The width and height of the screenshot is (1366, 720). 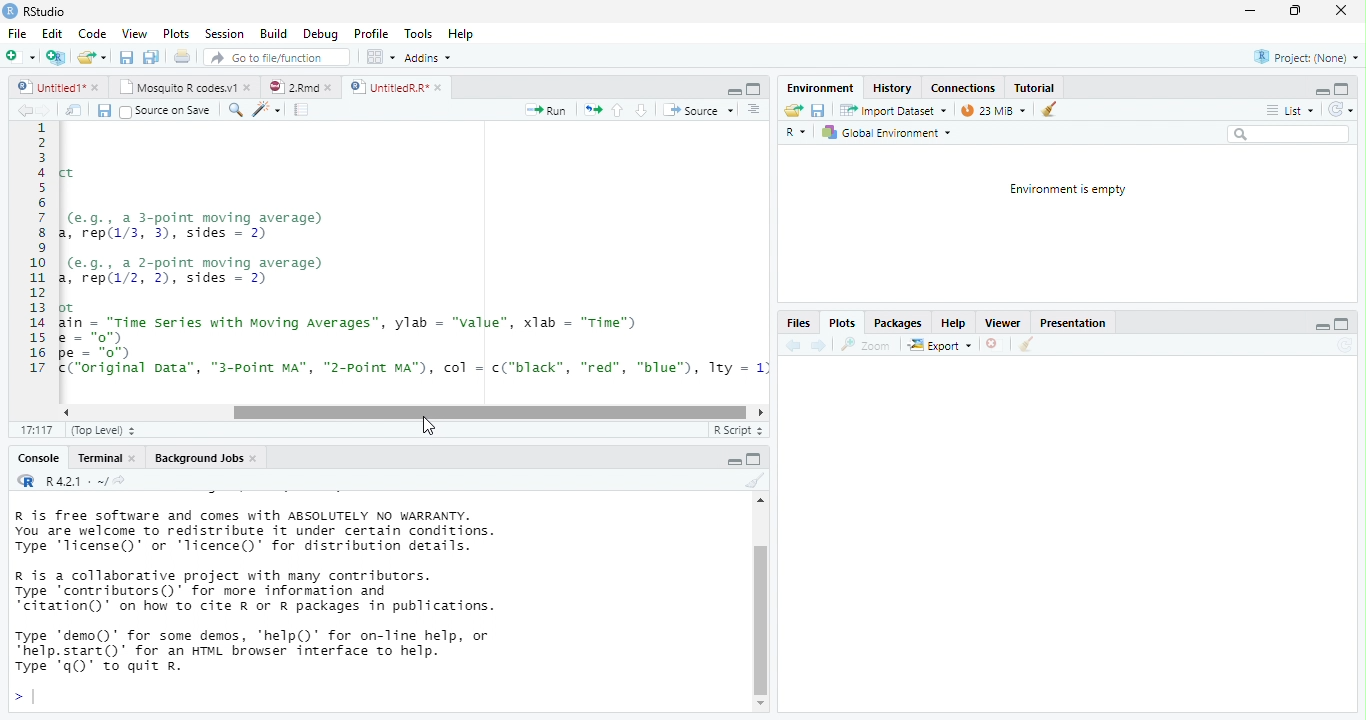 What do you see at coordinates (962, 88) in the screenshot?
I see `Connections` at bounding box center [962, 88].